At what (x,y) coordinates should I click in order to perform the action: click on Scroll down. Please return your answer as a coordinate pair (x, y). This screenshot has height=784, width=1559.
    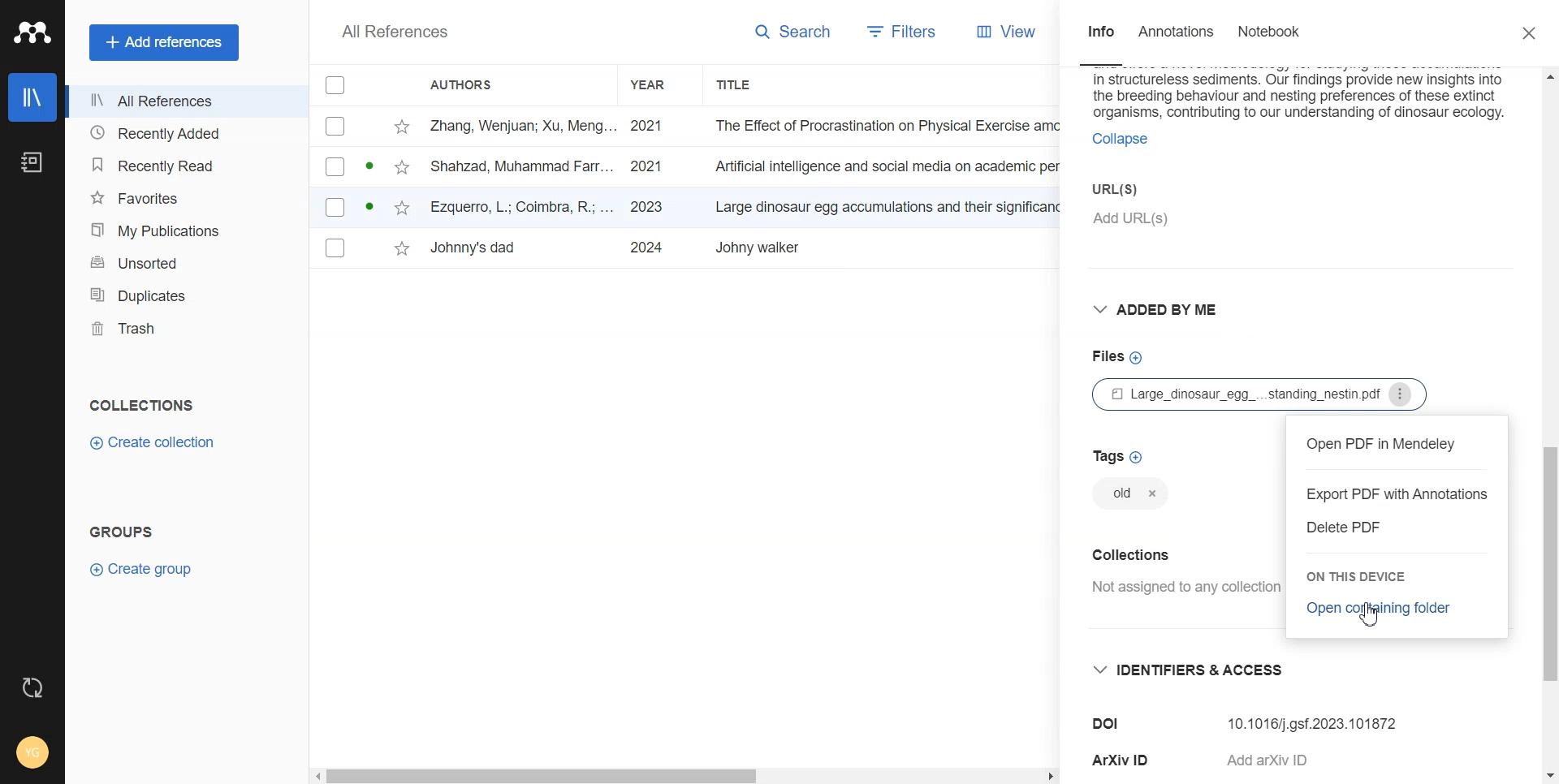
    Looking at the image, I should click on (1548, 774).